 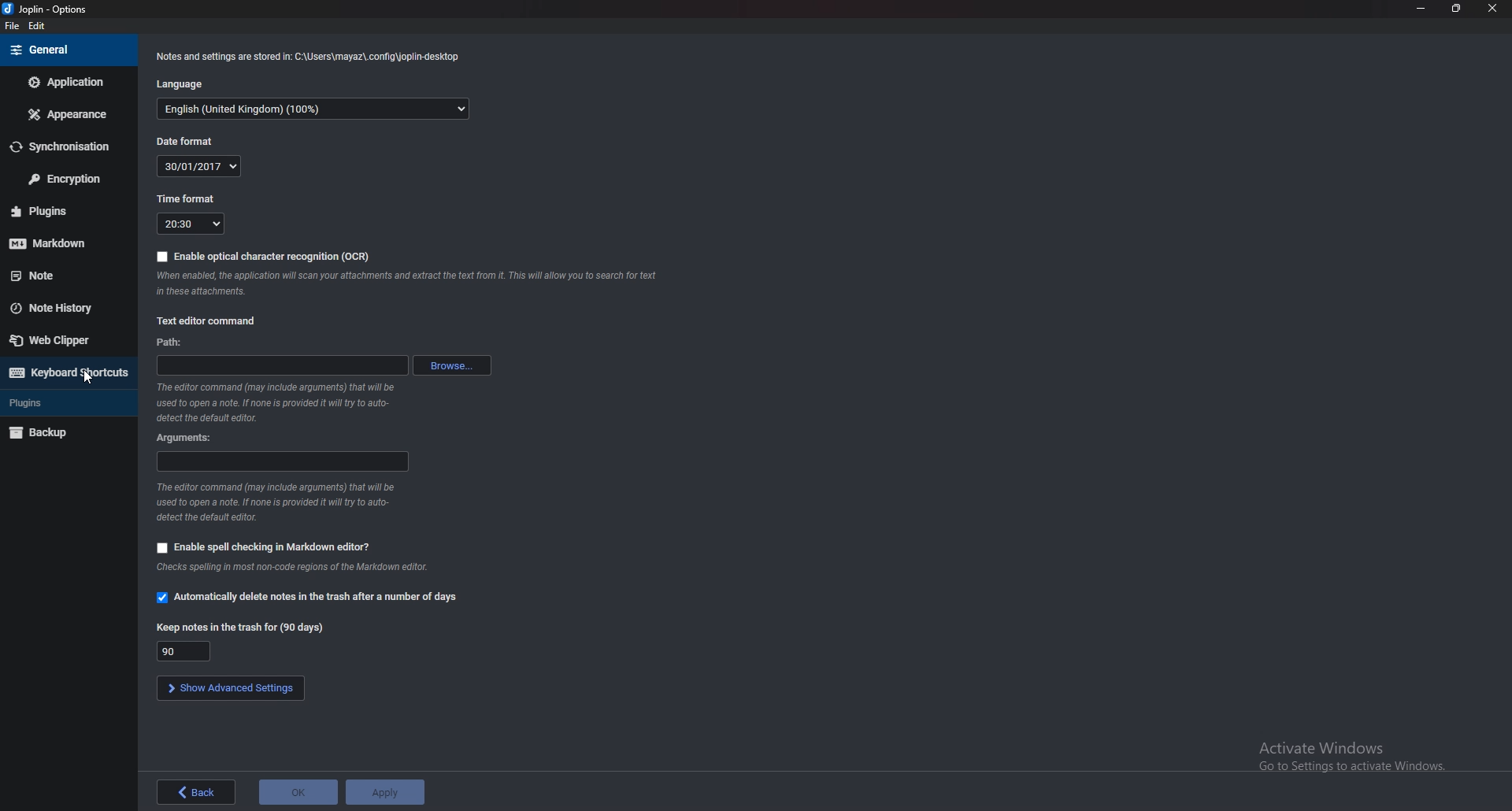 What do you see at coordinates (65, 114) in the screenshot?
I see `Appearance` at bounding box center [65, 114].